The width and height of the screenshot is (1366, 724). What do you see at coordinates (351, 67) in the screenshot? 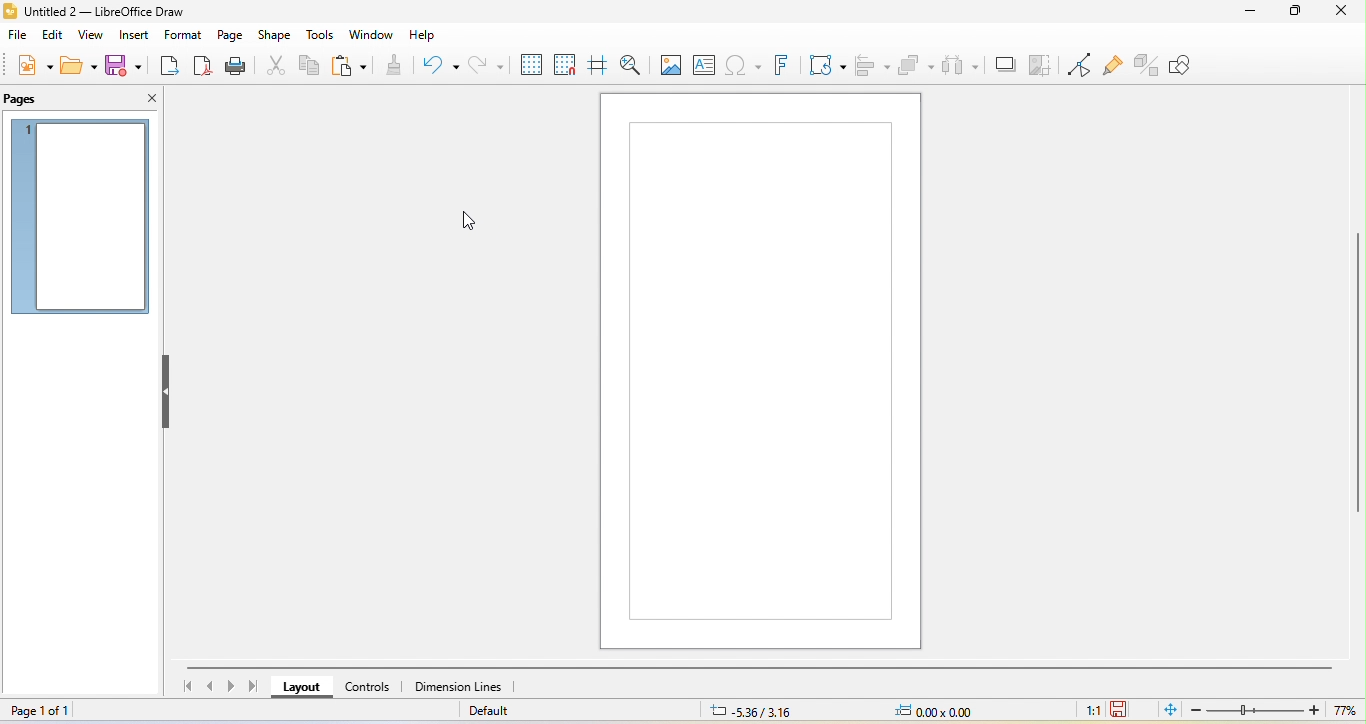
I see `paste` at bounding box center [351, 67].